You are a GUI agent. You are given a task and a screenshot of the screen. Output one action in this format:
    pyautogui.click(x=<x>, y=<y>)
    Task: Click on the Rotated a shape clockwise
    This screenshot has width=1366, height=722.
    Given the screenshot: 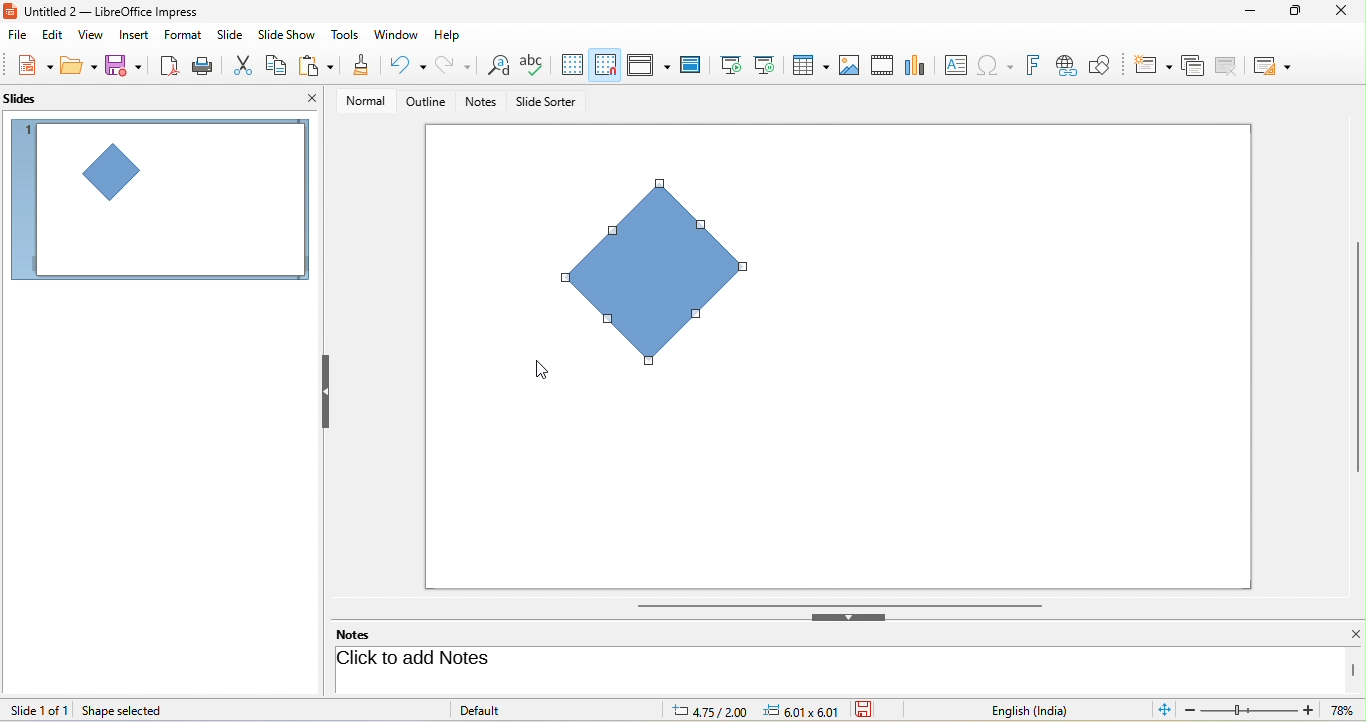 What is the action you would take?
    pyautogui.click(x=671, y=279)
    